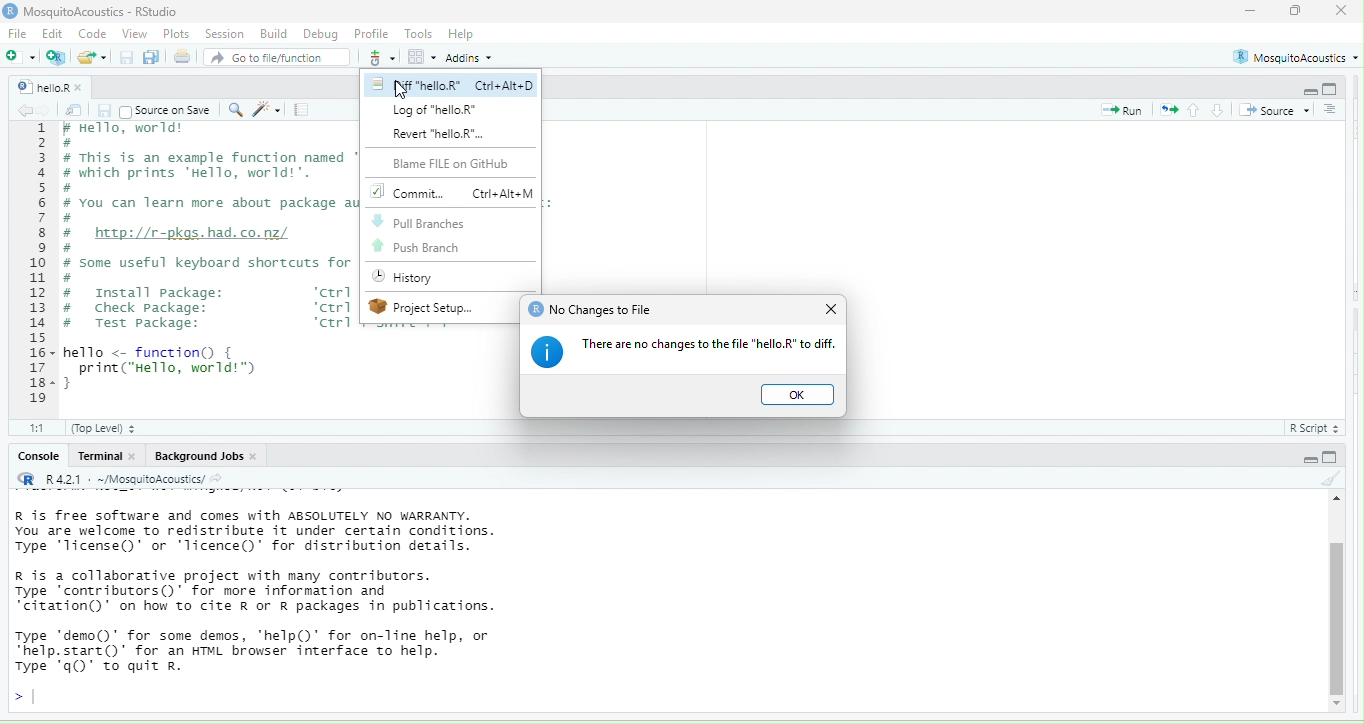 The height and width of the screenshot is (724, 1364). Describe the element at coordinates (125, 57) in the screenshot. I see `save current document` at that location.